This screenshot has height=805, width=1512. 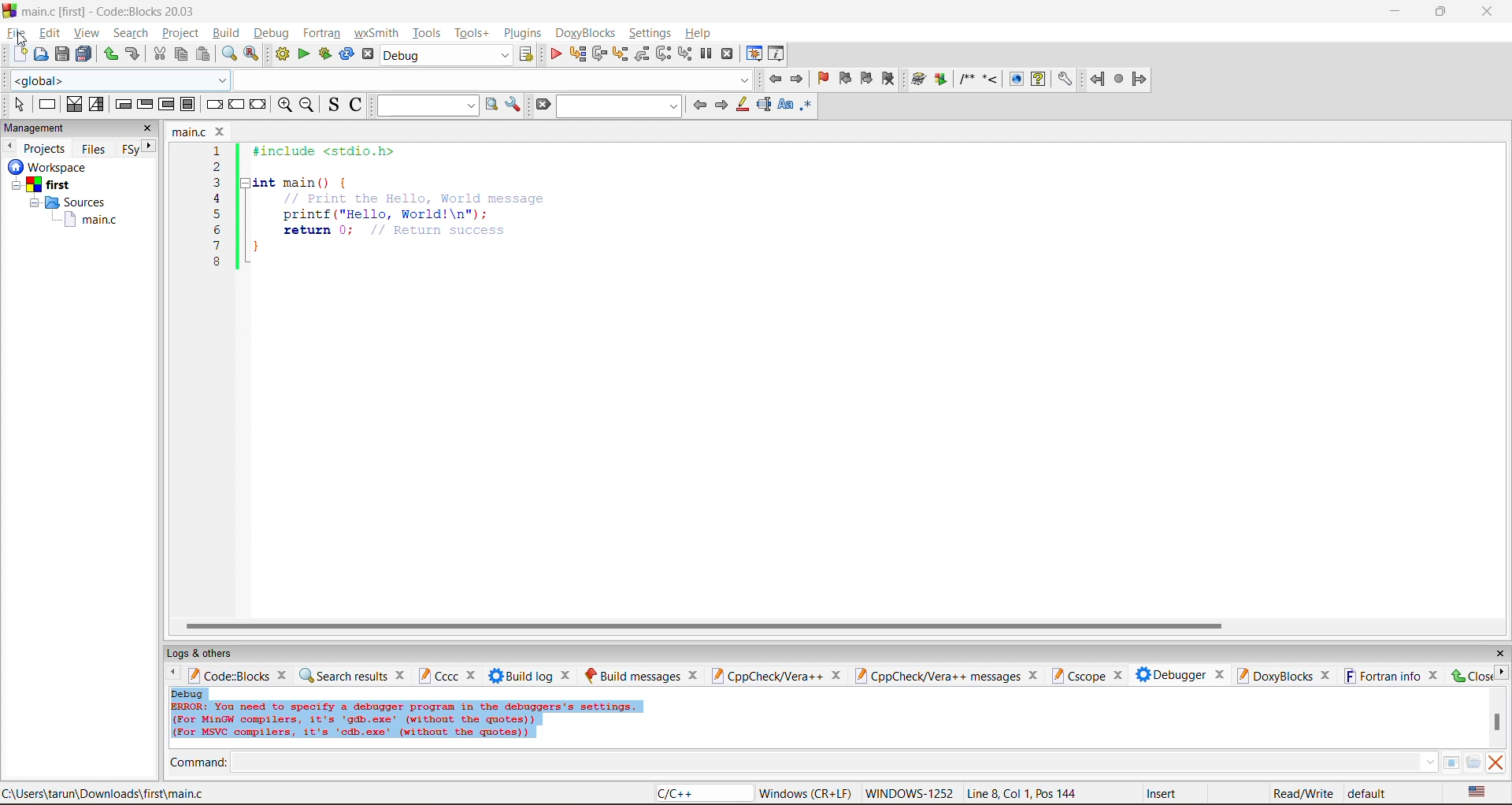 I want to click on close, so click(x=836, y=676).